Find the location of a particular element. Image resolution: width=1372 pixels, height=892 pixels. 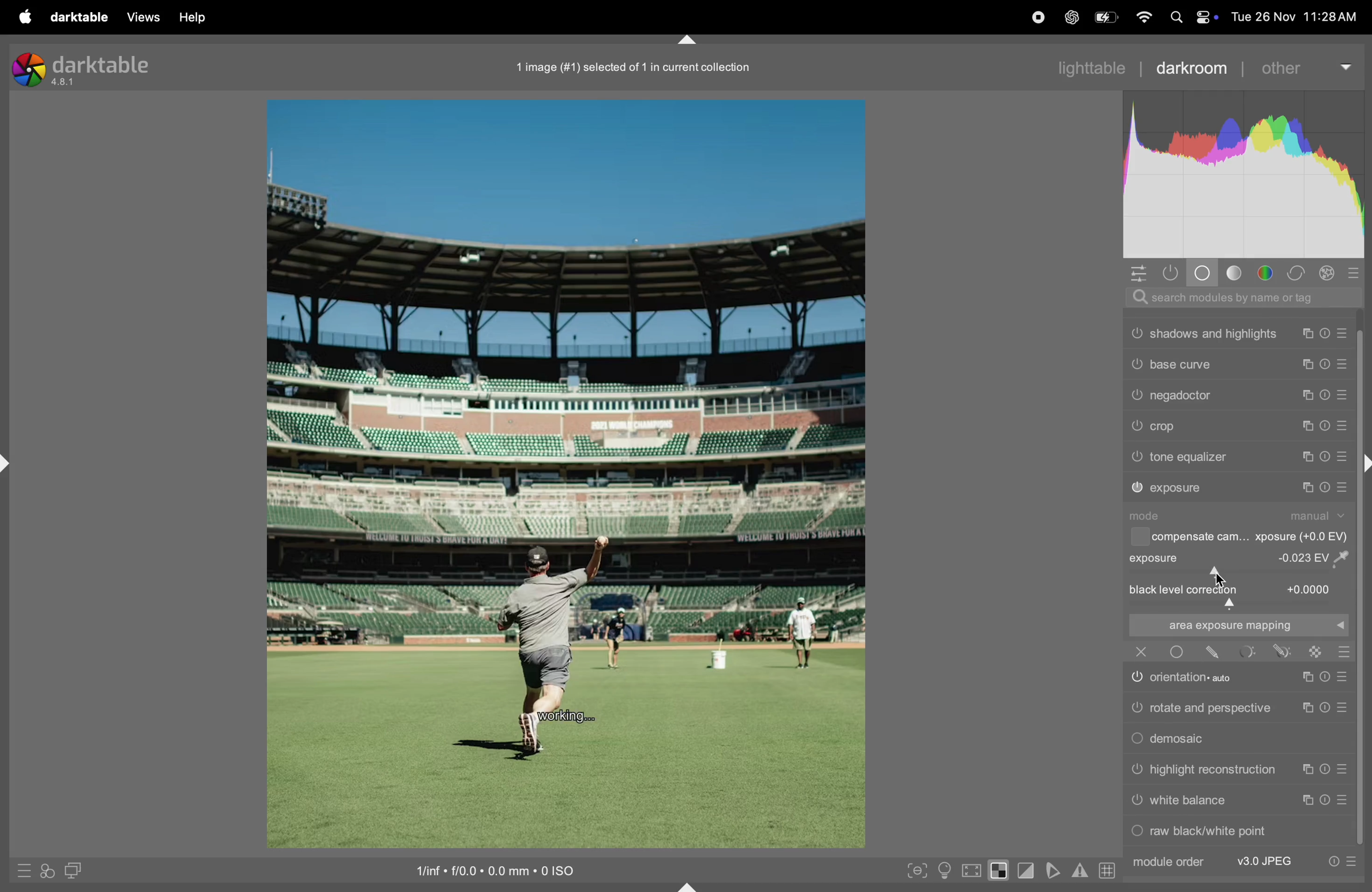

copy is located at coordinates (1306, 458).